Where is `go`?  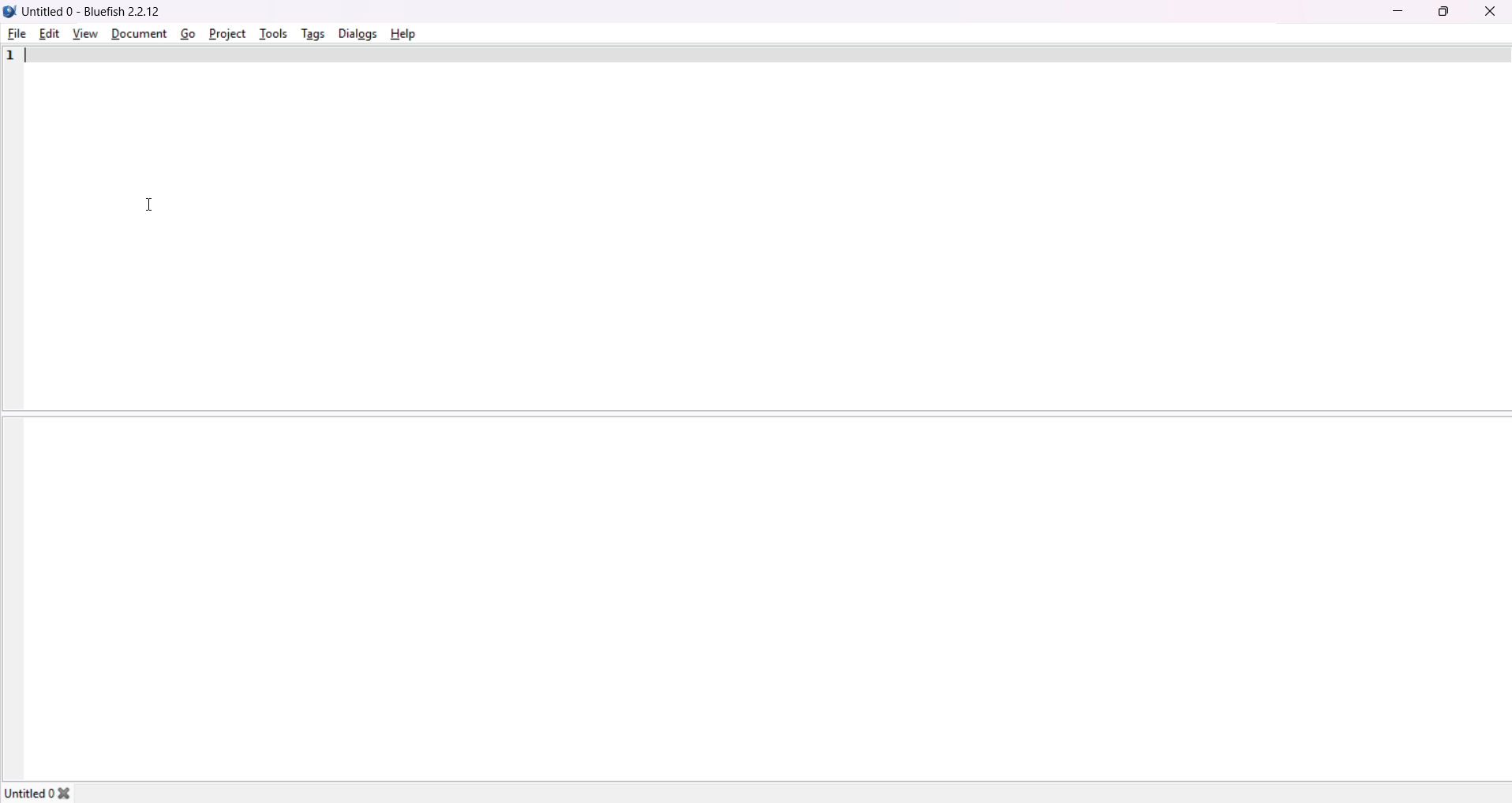 go is located at coordinates (186, 33).